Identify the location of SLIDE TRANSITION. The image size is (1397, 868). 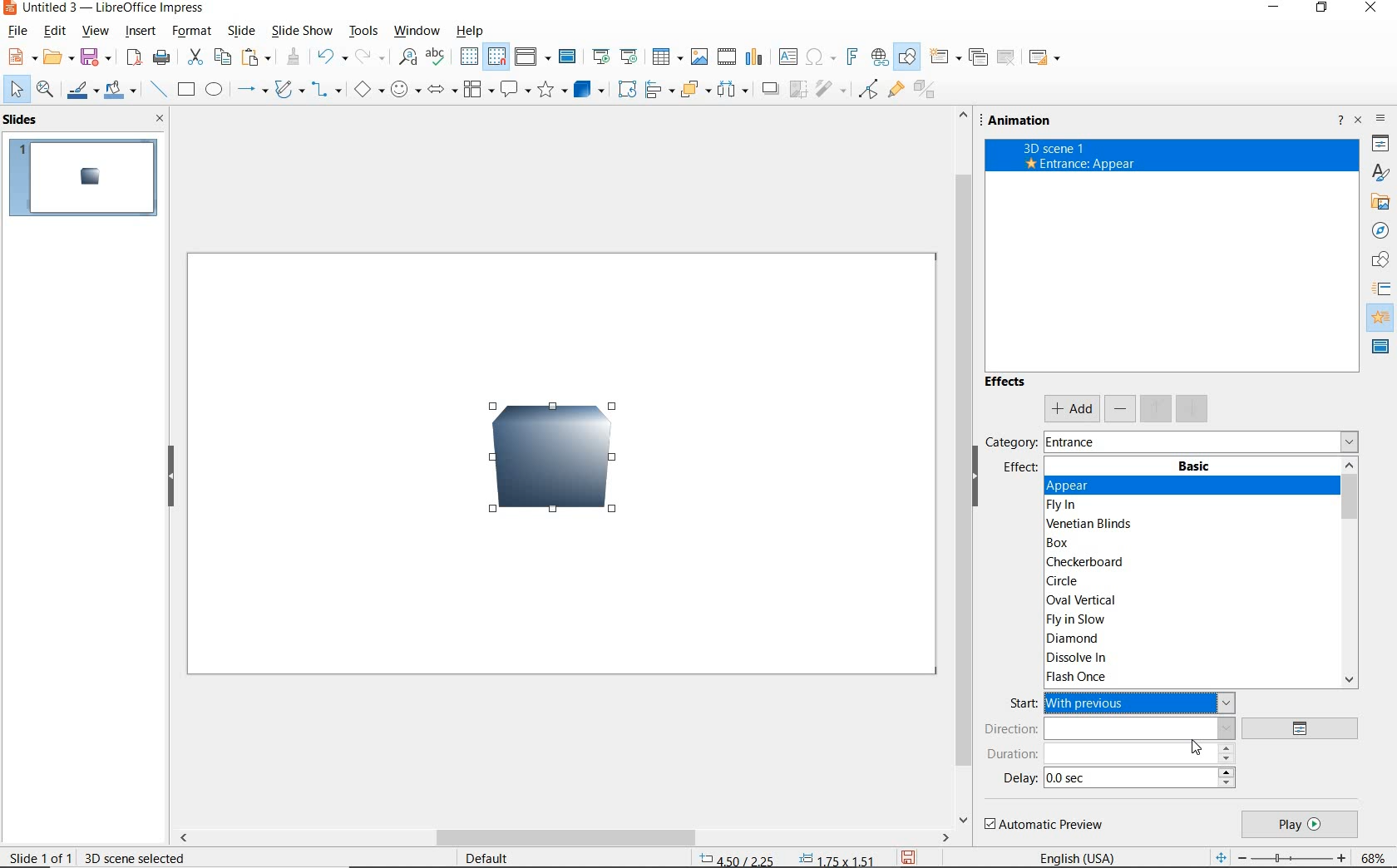
(1382, 289).